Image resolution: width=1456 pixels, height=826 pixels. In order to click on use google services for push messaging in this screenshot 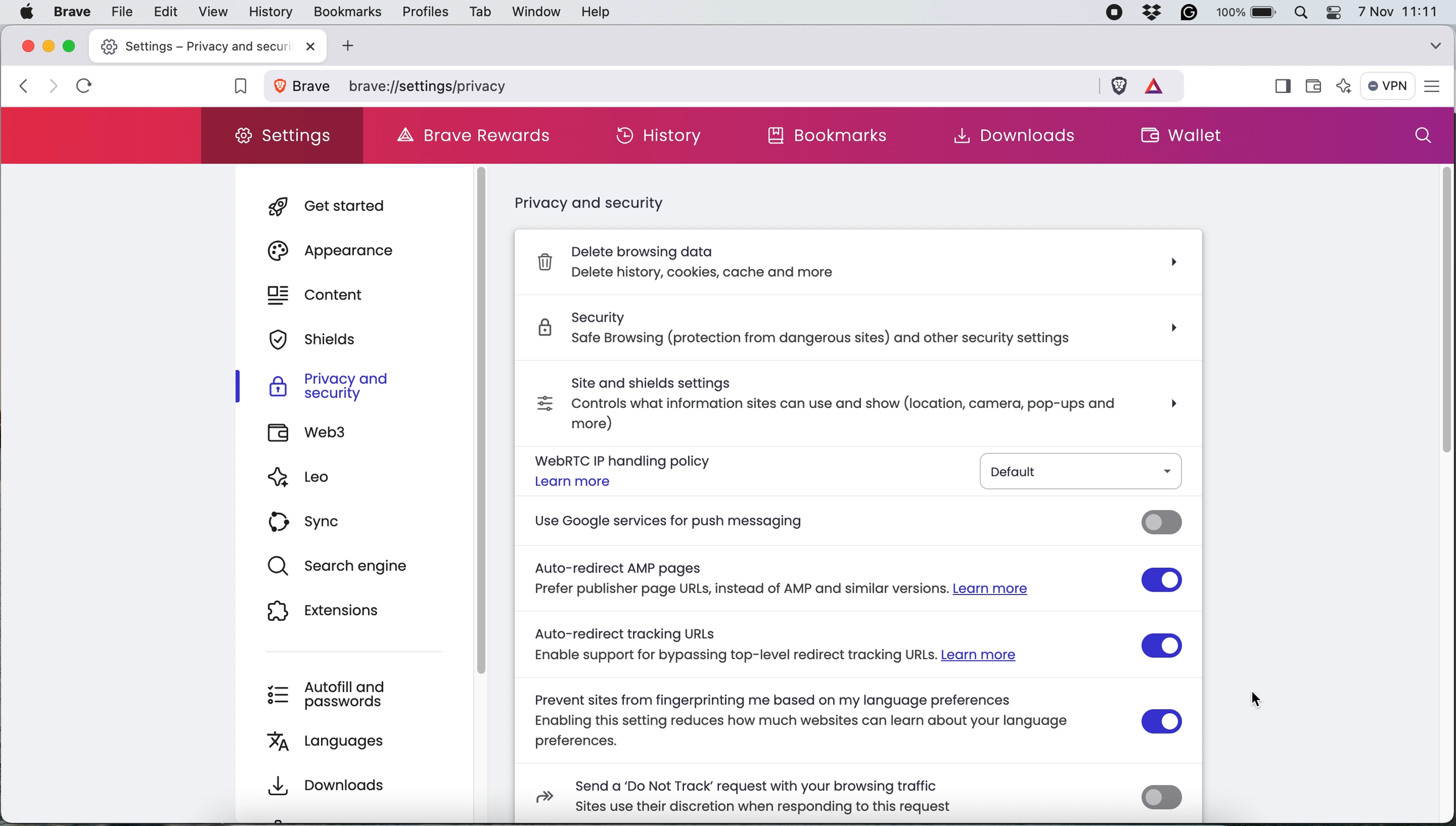, I will do `click(830, 522)`.